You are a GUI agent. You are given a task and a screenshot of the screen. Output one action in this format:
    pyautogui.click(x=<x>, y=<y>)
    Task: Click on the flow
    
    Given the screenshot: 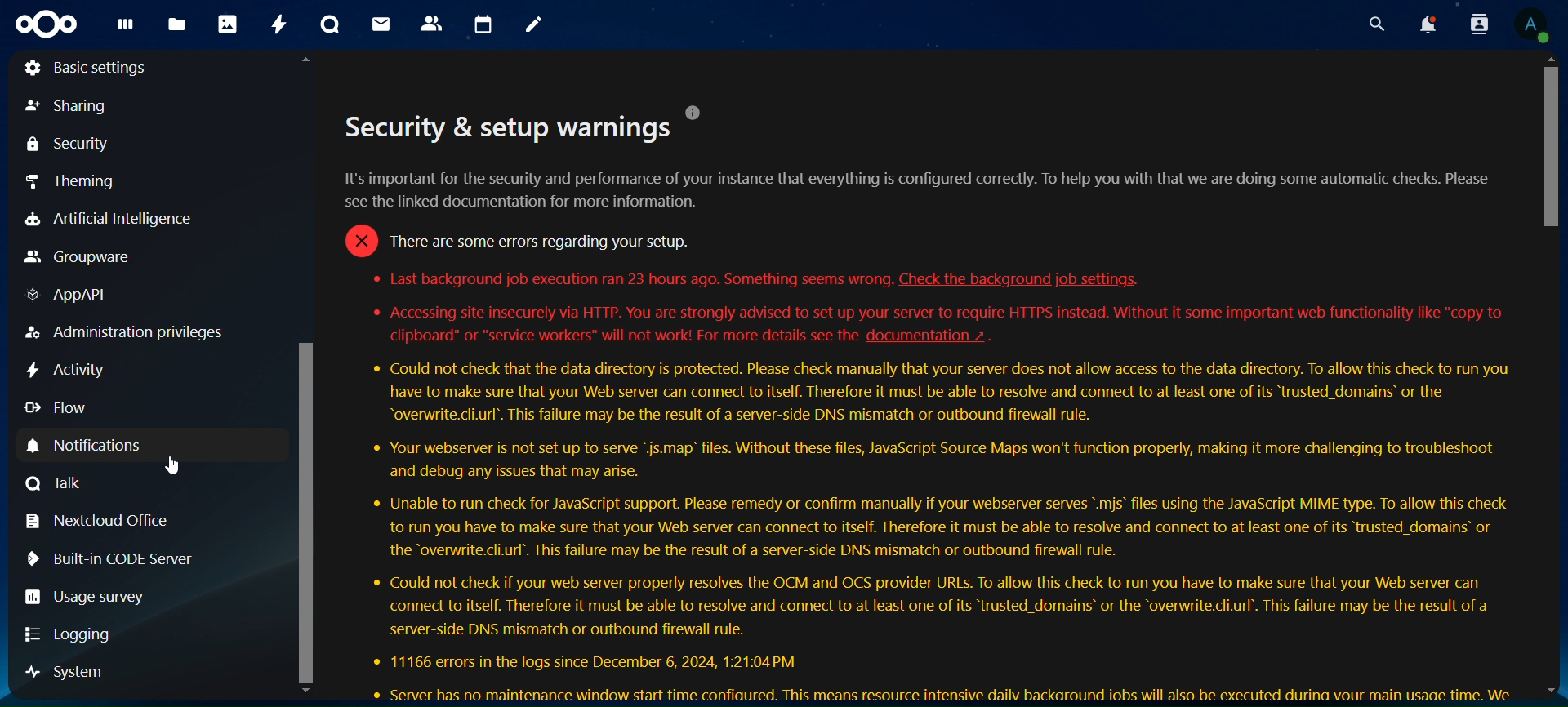 What is the action you would take?
    pyautogui.click(x=56, y=410)
    